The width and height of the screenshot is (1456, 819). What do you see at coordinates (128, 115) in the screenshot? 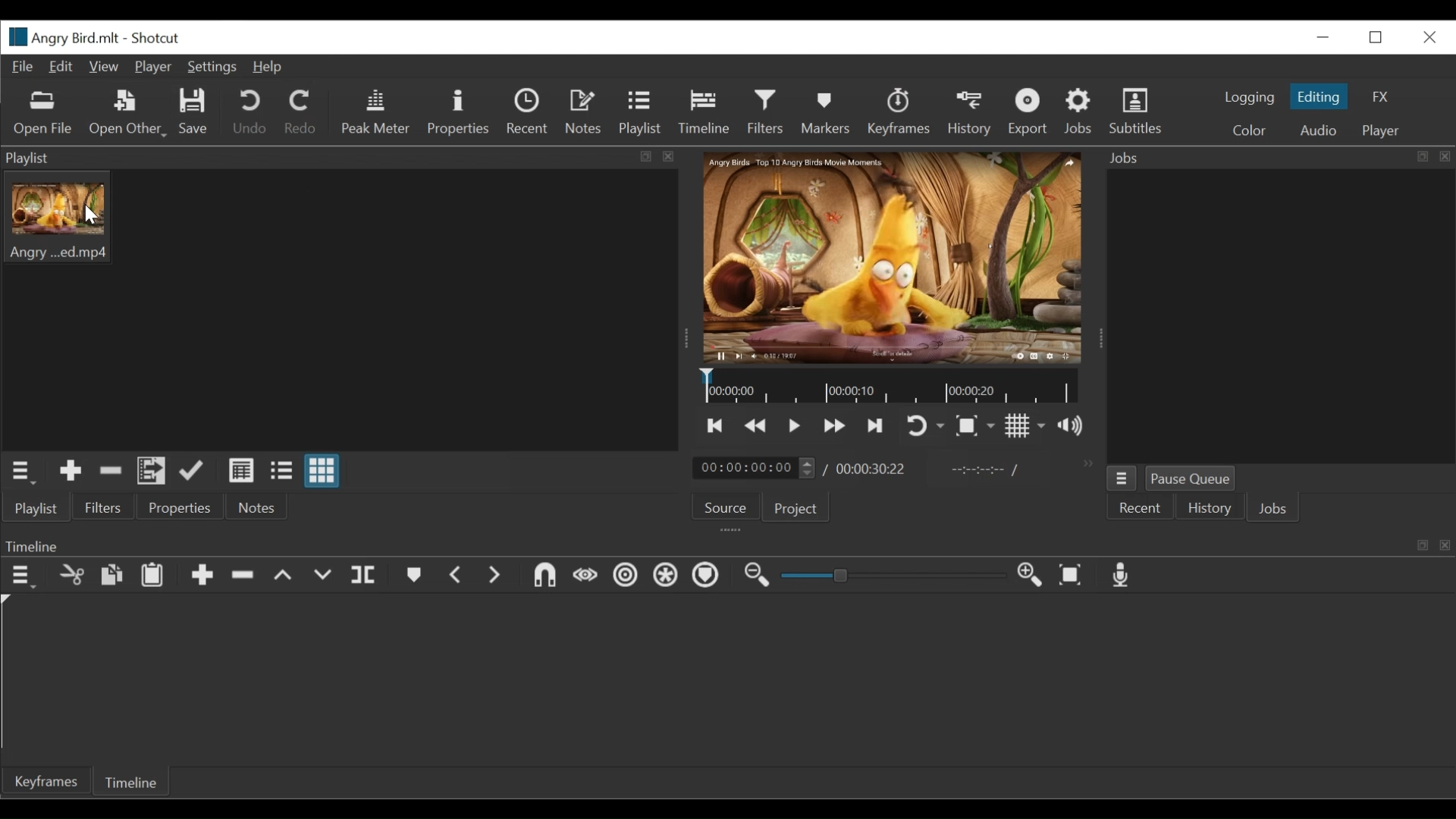
I see `Open Other` at bounding box center [128, 115].